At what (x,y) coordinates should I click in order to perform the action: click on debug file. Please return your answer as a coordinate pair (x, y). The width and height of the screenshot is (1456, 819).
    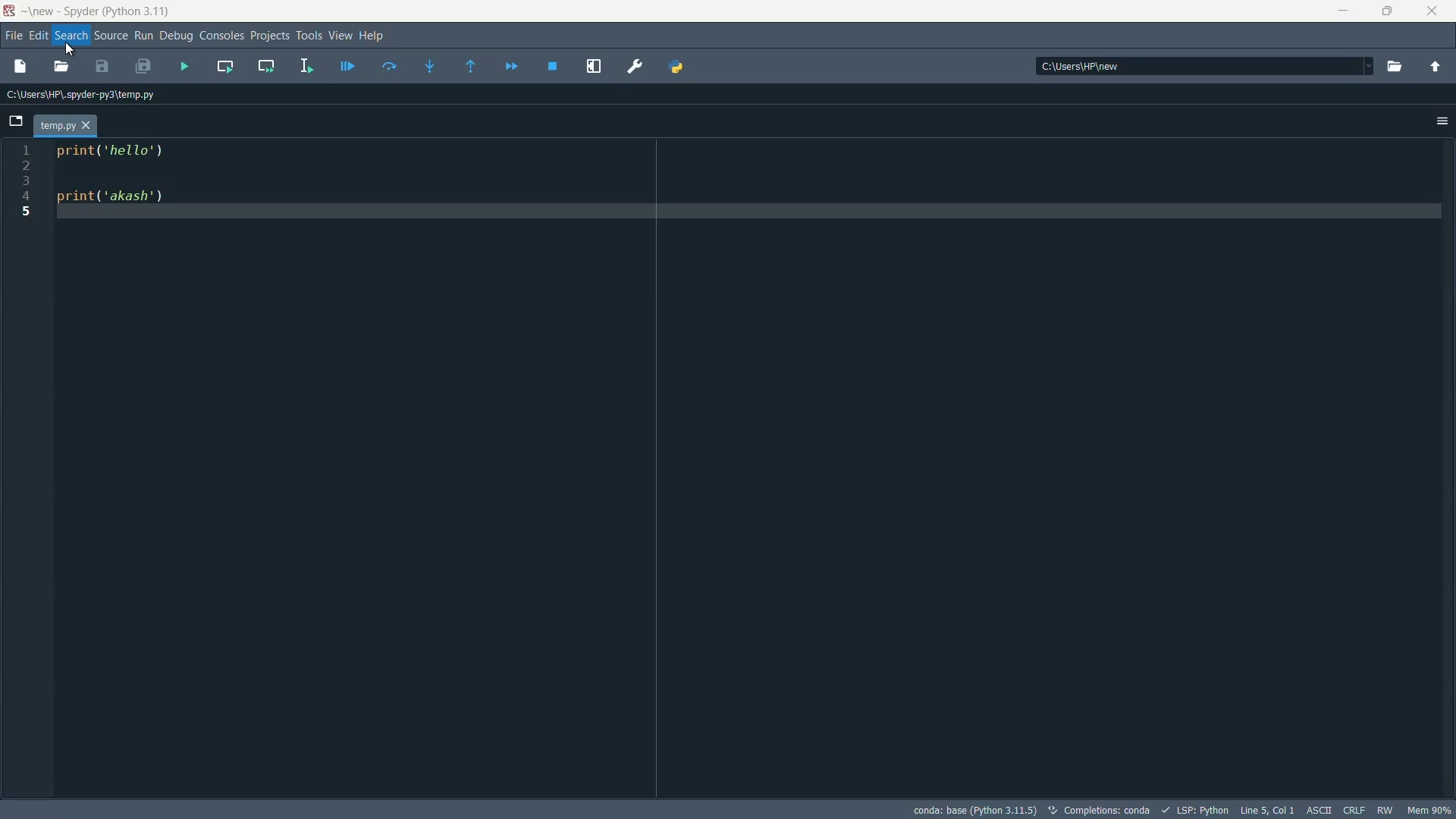
    Looking at the image, I should click on (349, 67).